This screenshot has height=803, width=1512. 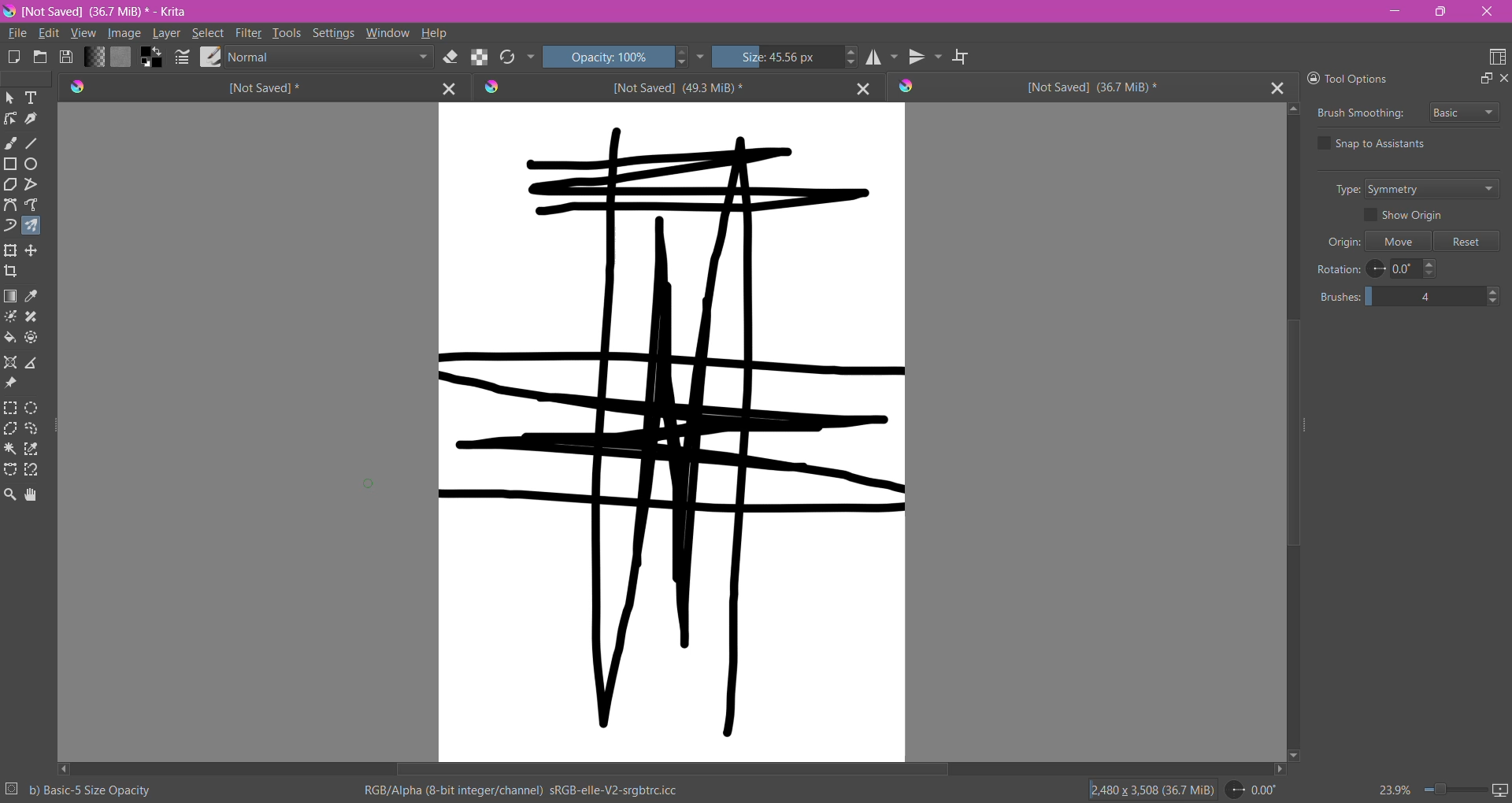 What do you see at coordinates (10, 185) in the screenshot?
I see `Polygon Tool` at bounding box center [10, 185].